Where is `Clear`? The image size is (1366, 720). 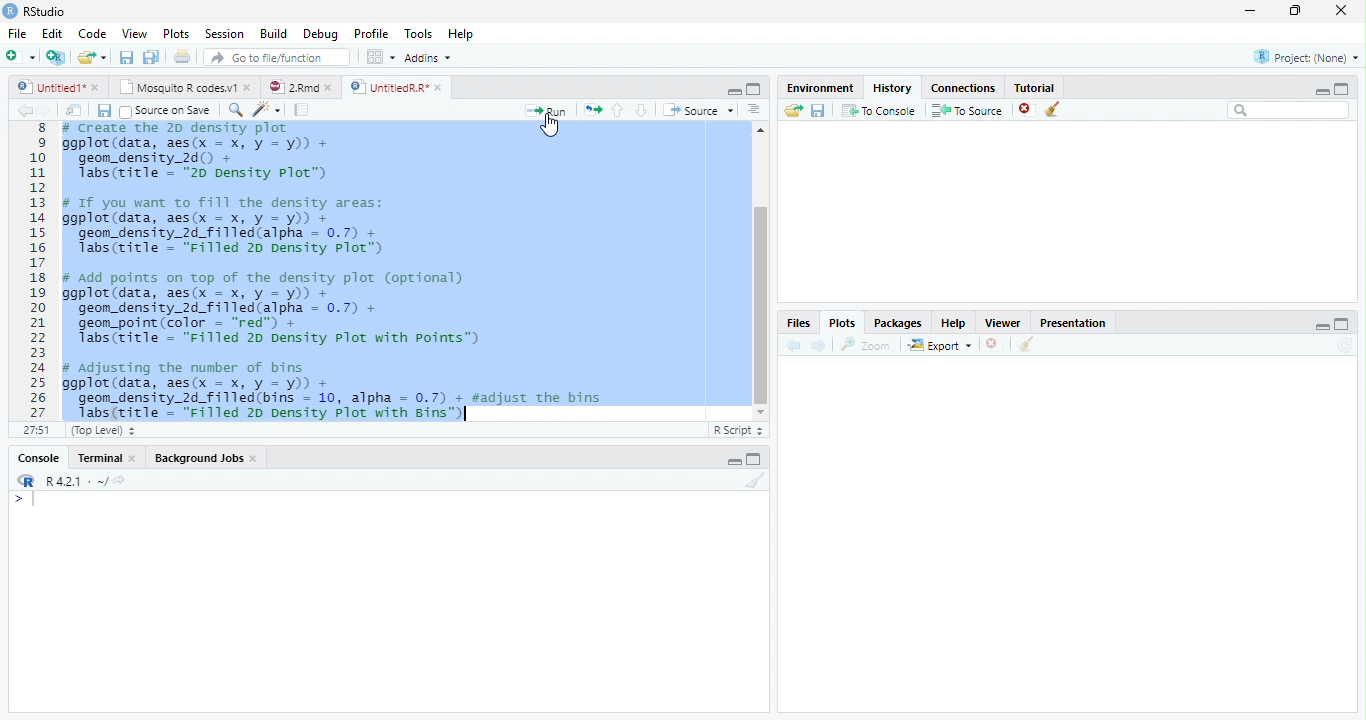 Clear is located at coordinates (756, 480).